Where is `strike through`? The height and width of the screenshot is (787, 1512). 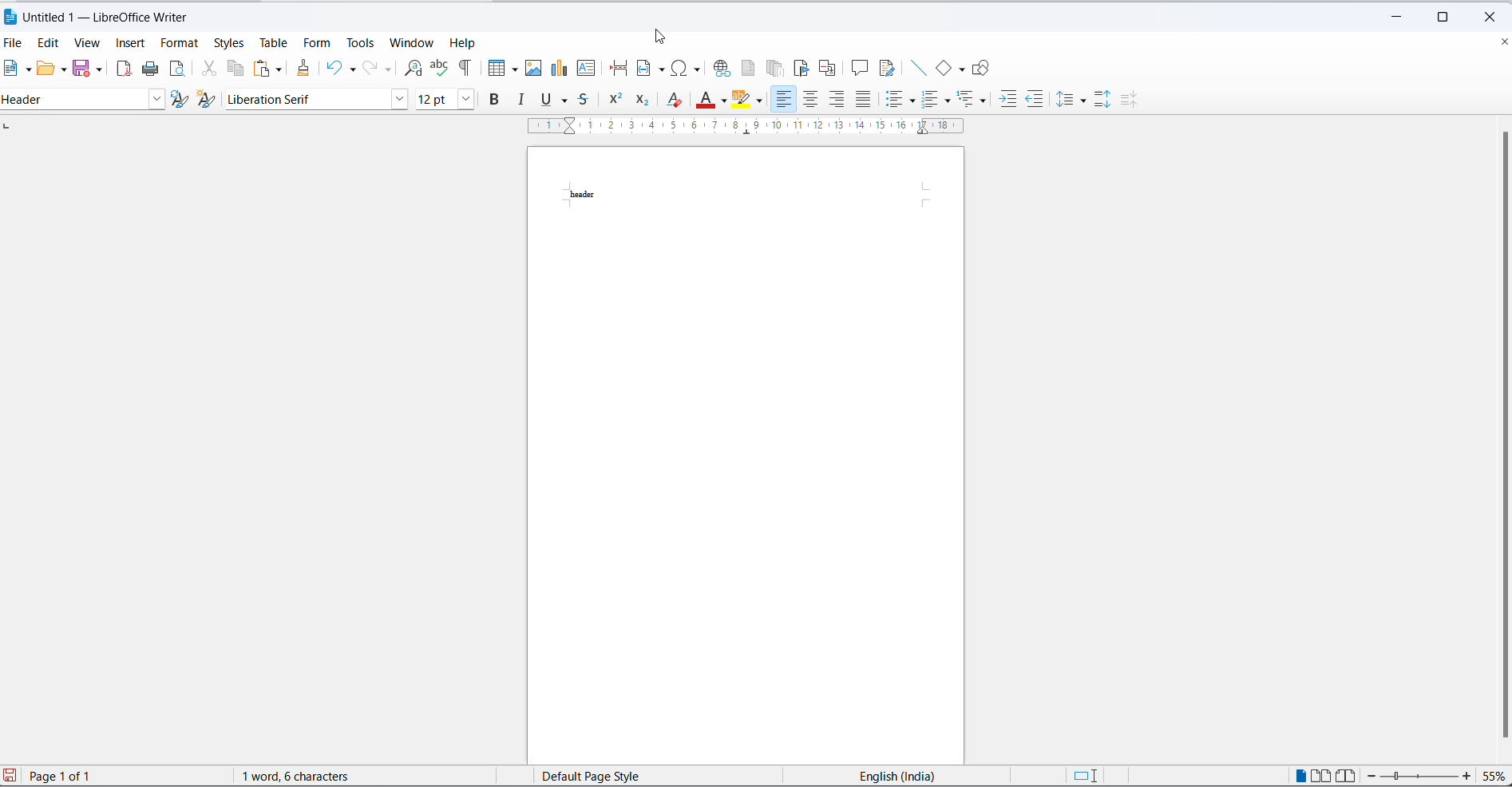 strike through is located at coordinates (584, 101).